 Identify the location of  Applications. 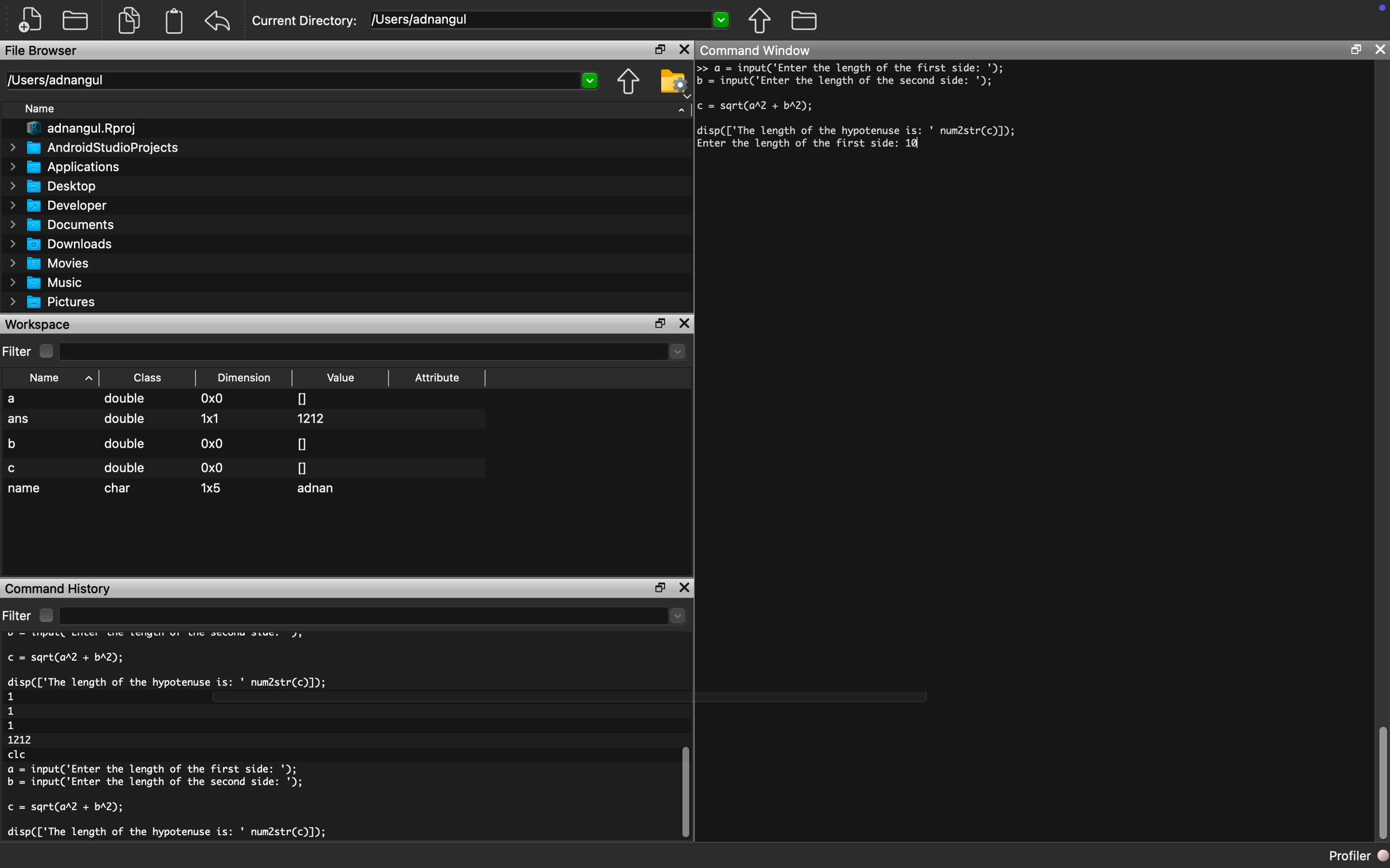
(70, 166).